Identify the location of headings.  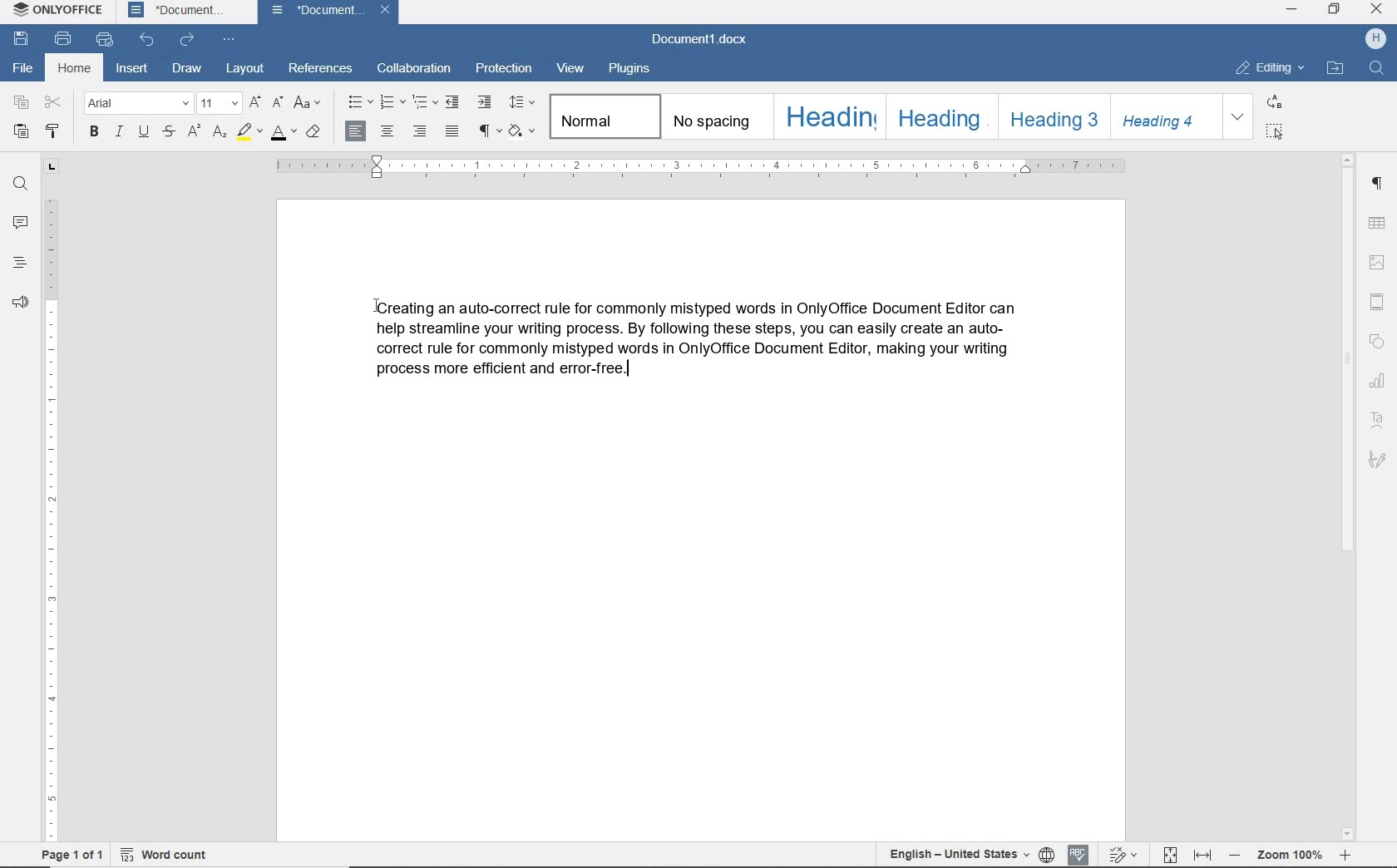
(18, 264).